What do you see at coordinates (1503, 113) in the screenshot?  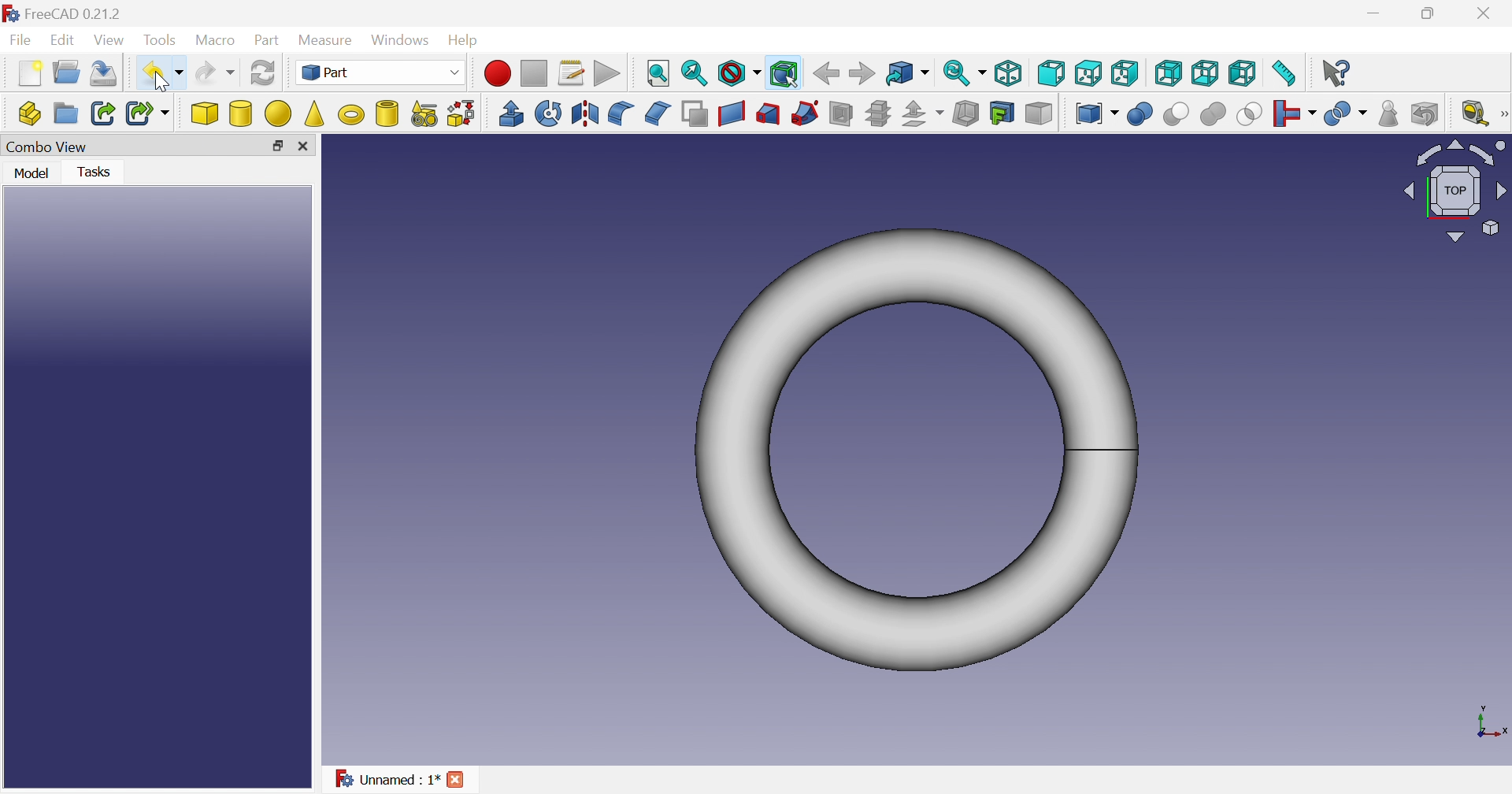 I see `[Measure]` at bounding box center [1503, 113].